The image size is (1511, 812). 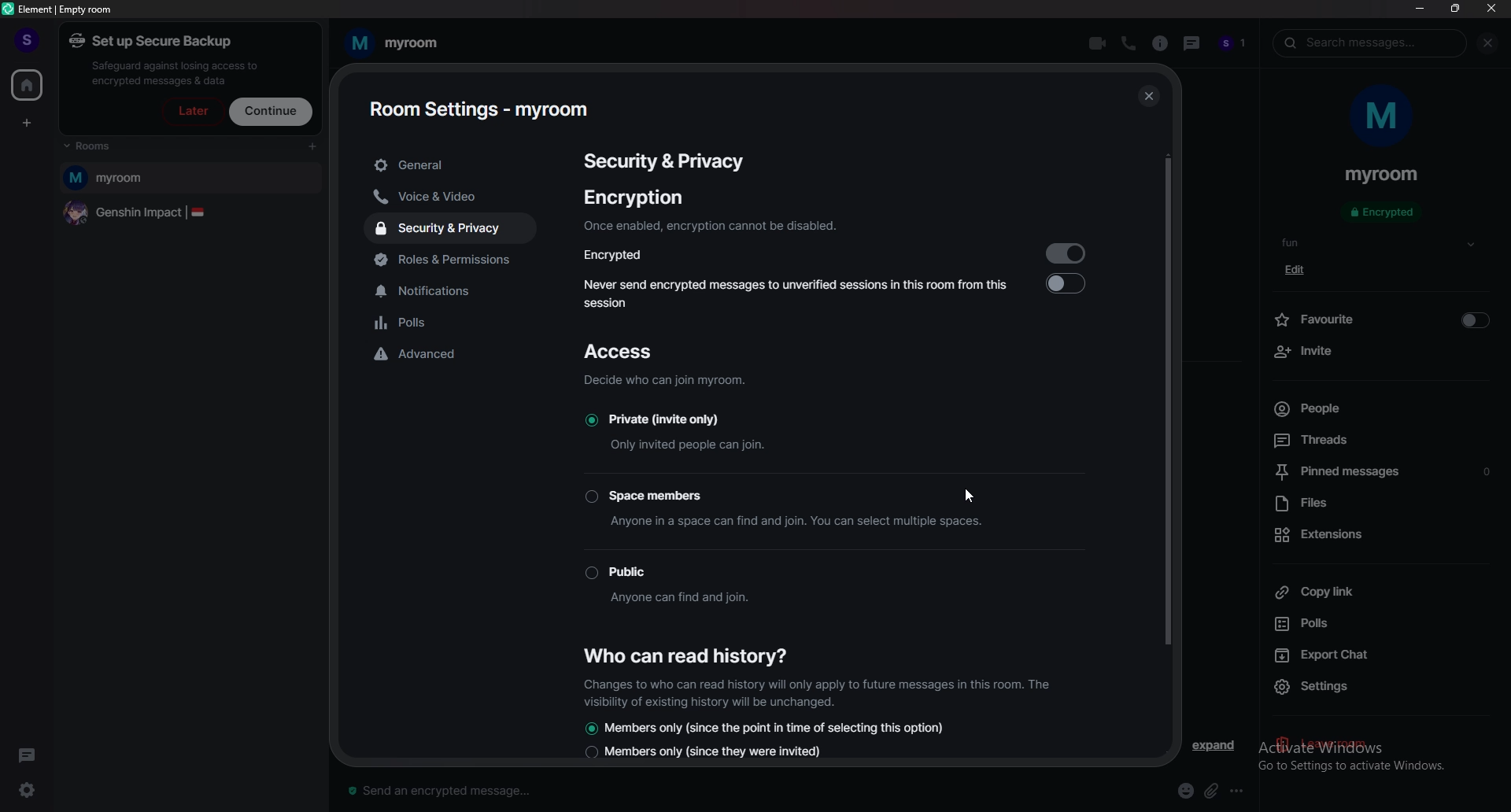 What do you see at coordinates (1383, 175) in the screenshot?
I see `myroom` at bounding box center [1383, 175].